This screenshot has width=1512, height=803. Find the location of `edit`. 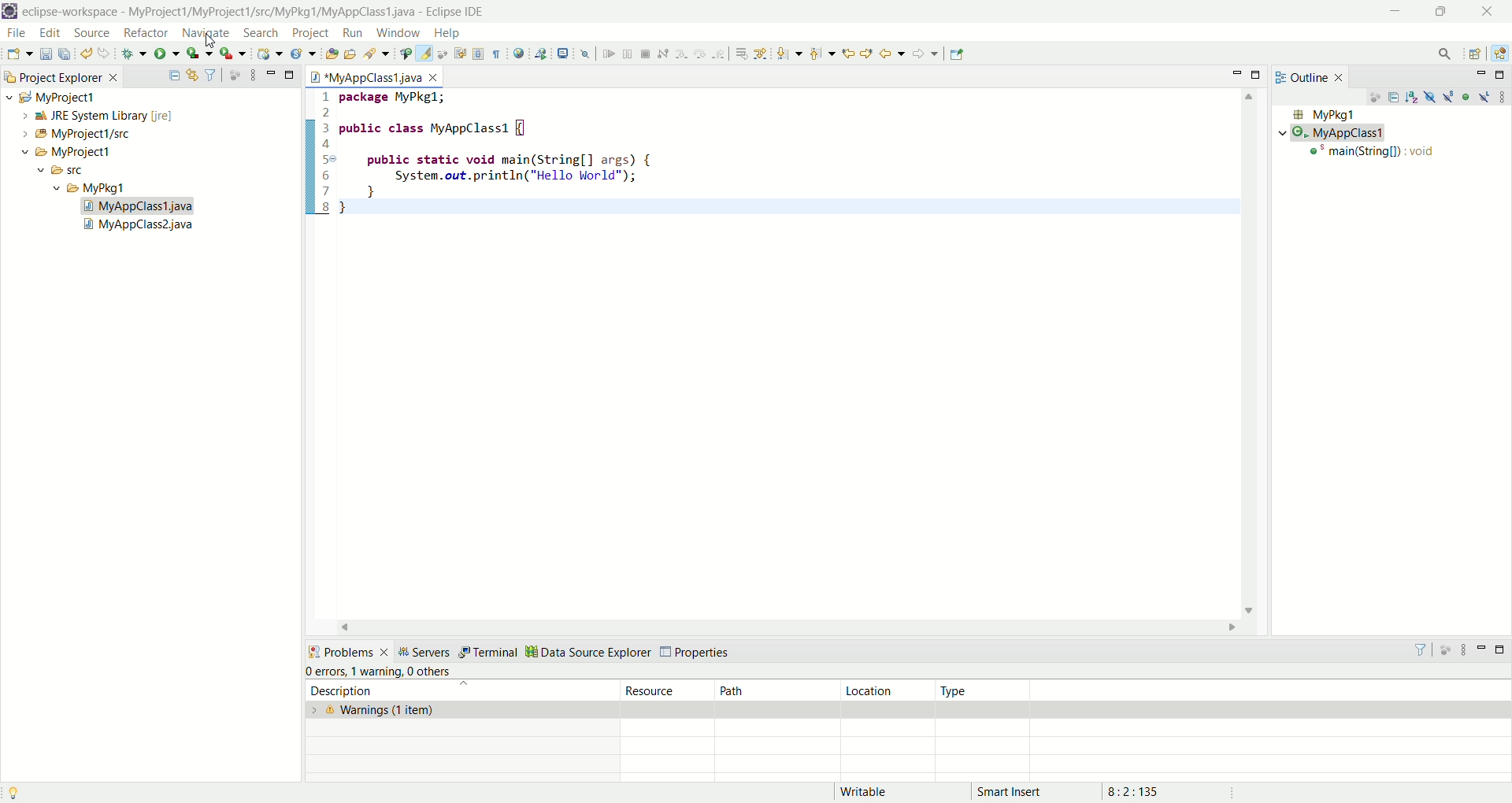

edit is located at coordinates (50, 35).